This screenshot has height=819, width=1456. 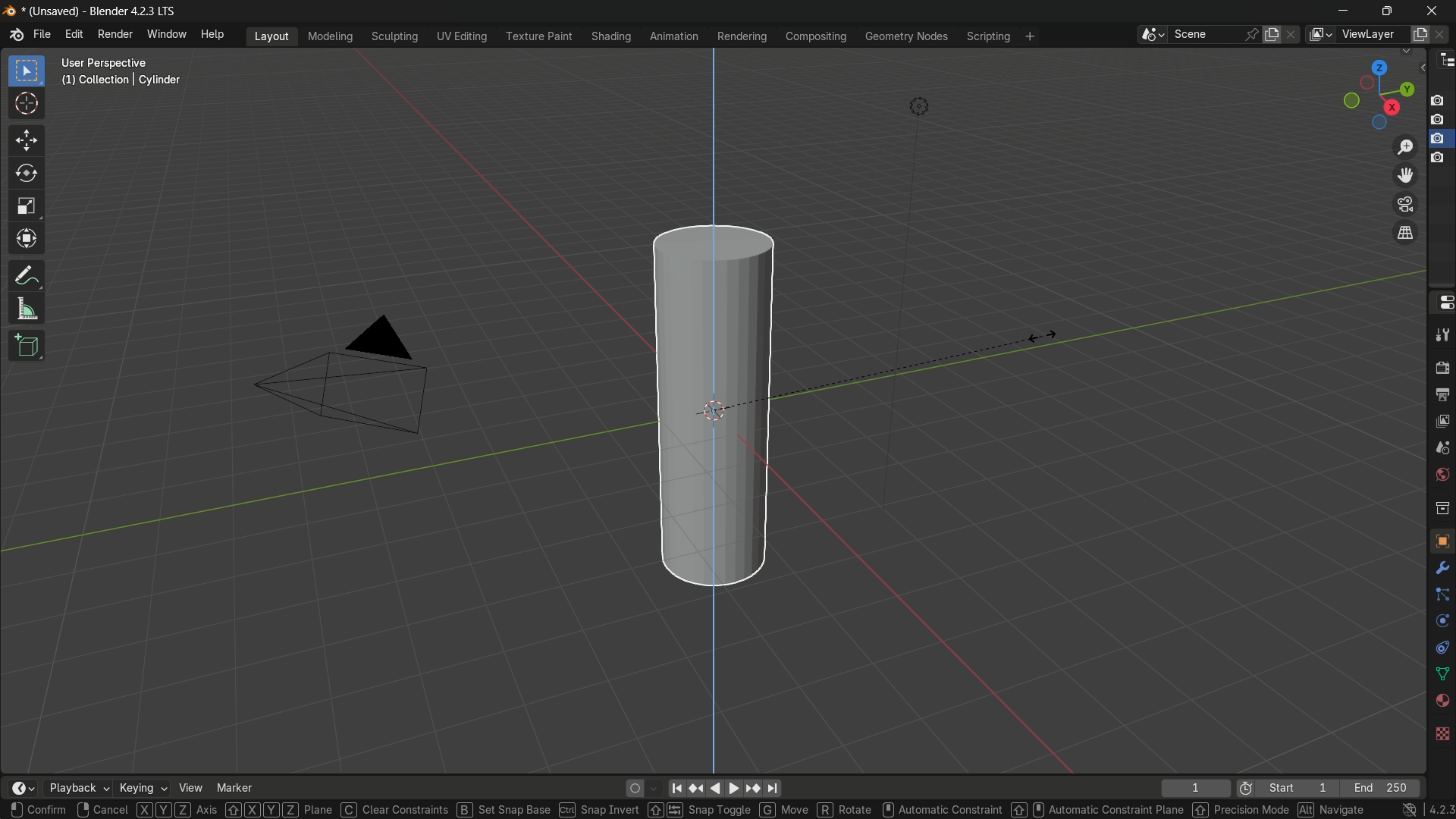 I want to click on logo, so click(x=11, y=11).